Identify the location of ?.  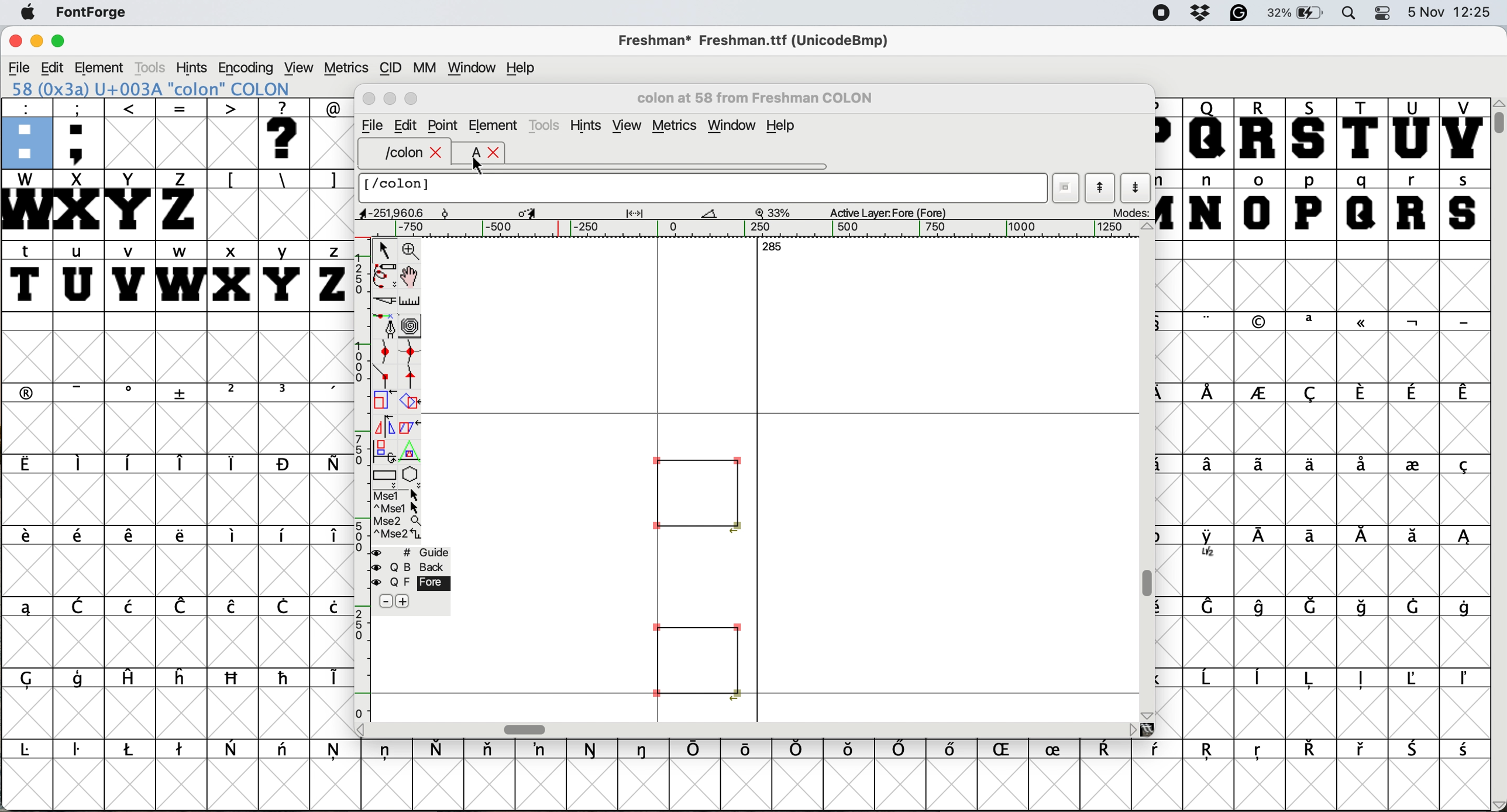
(287, 133).